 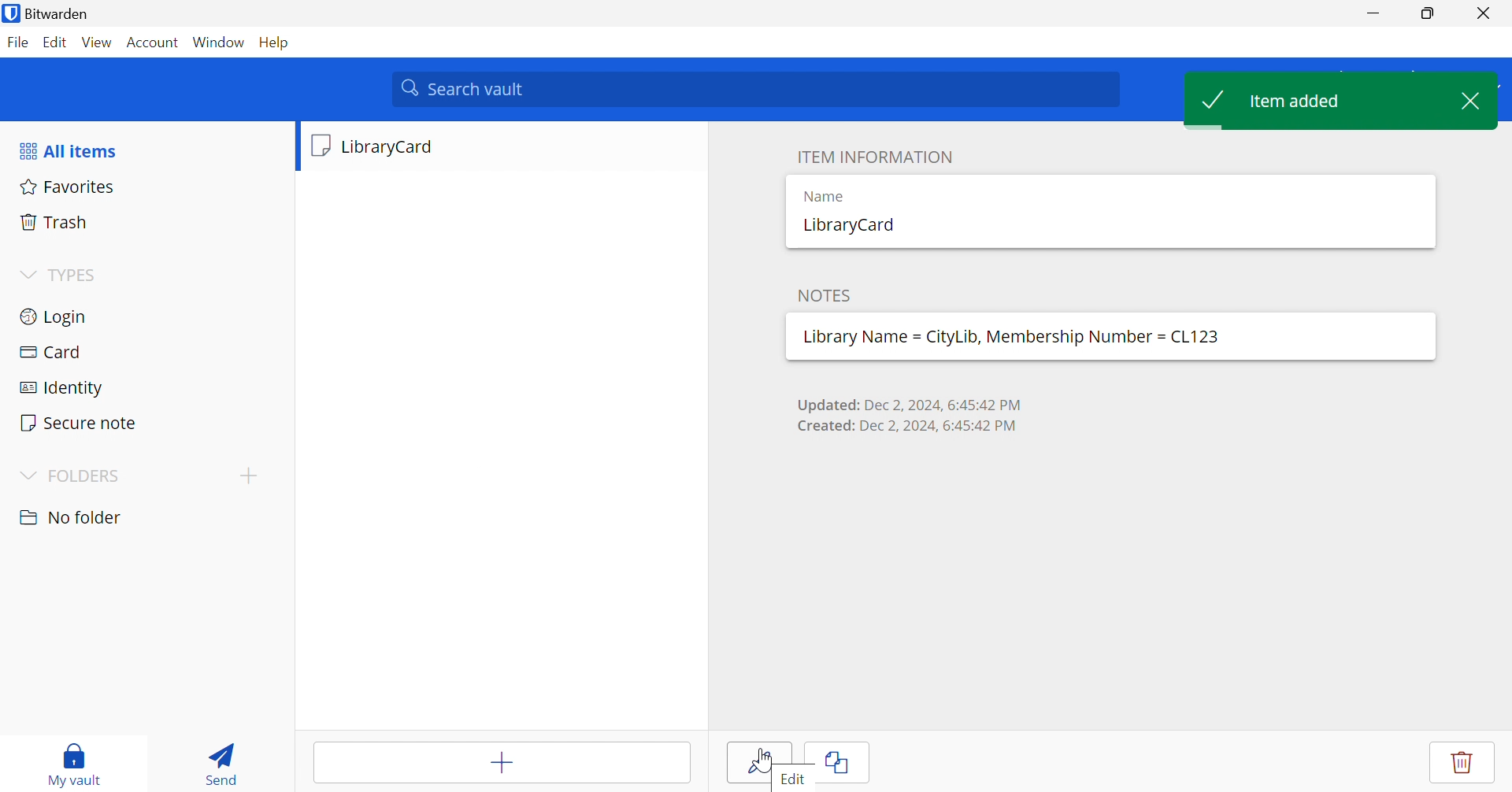 I want to click on All items, so click(x=67, y=149).